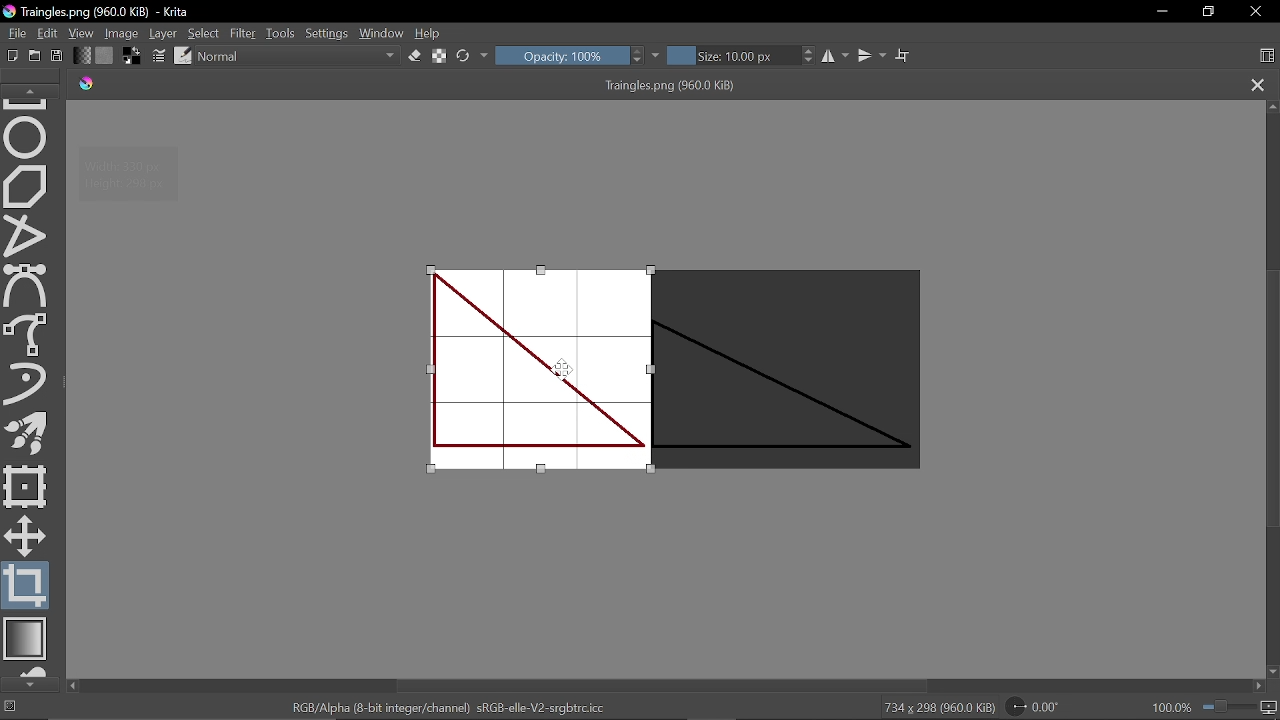 The width and height of the screenshot is (1280, 720). I want to click on Tools, so click(281, 33).